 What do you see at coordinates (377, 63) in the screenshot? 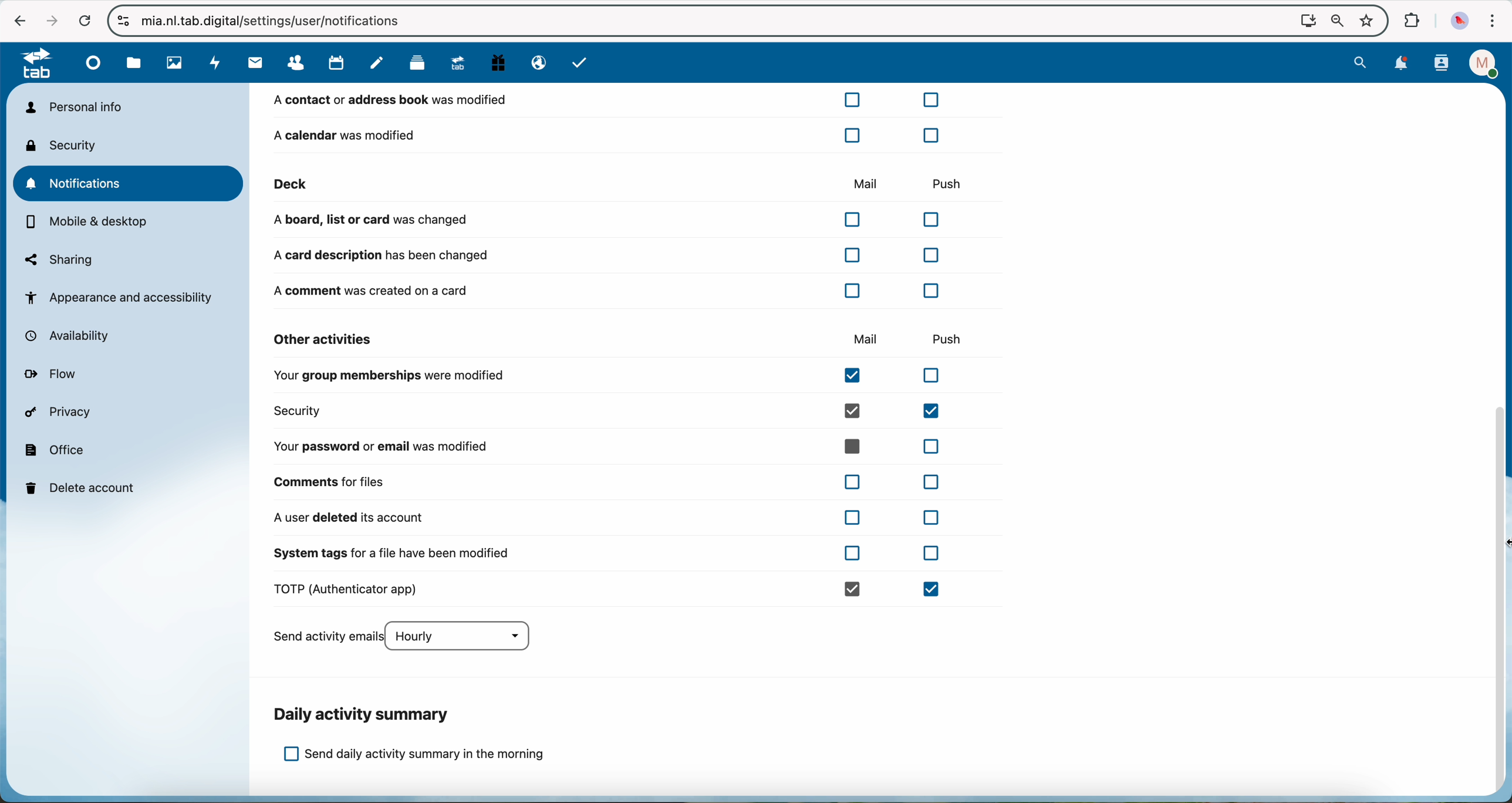
I see `notes` at bounding box center [377, 63].